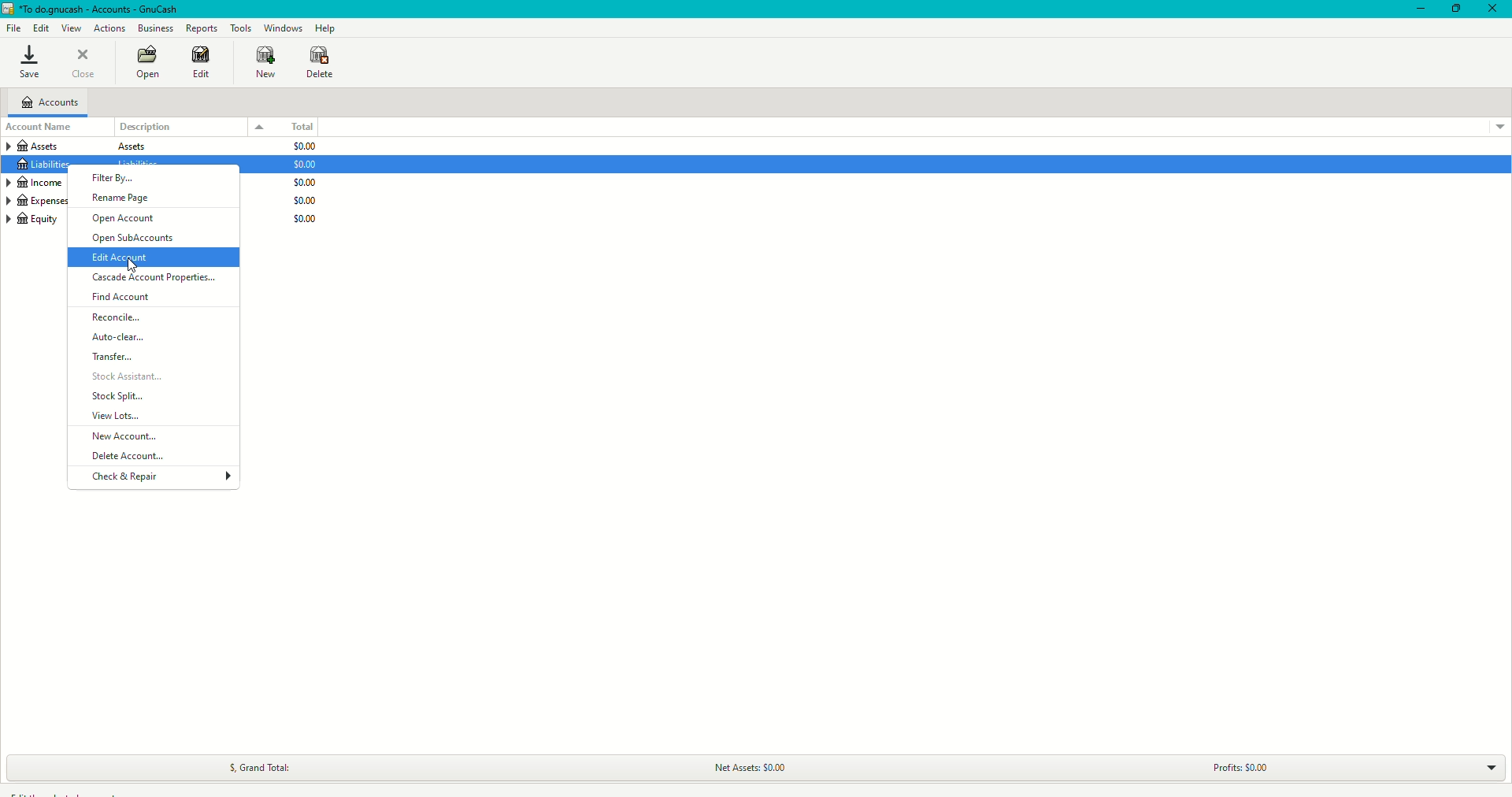 This screenshot has width=1512, height=797. Describe the element at coordinates (79, 147) in the screenshot. I see `Assets` at that location.